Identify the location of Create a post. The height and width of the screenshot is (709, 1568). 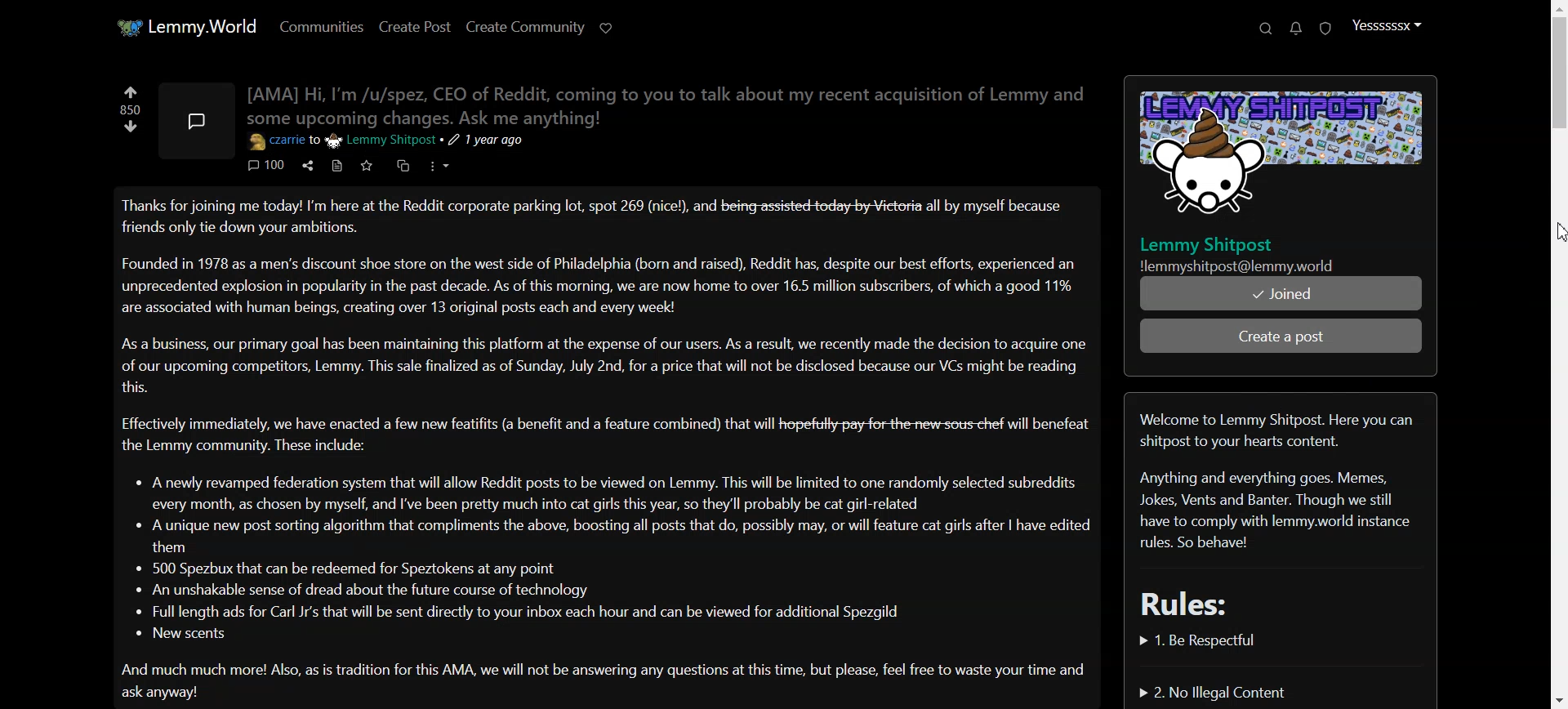
(1281, 337).